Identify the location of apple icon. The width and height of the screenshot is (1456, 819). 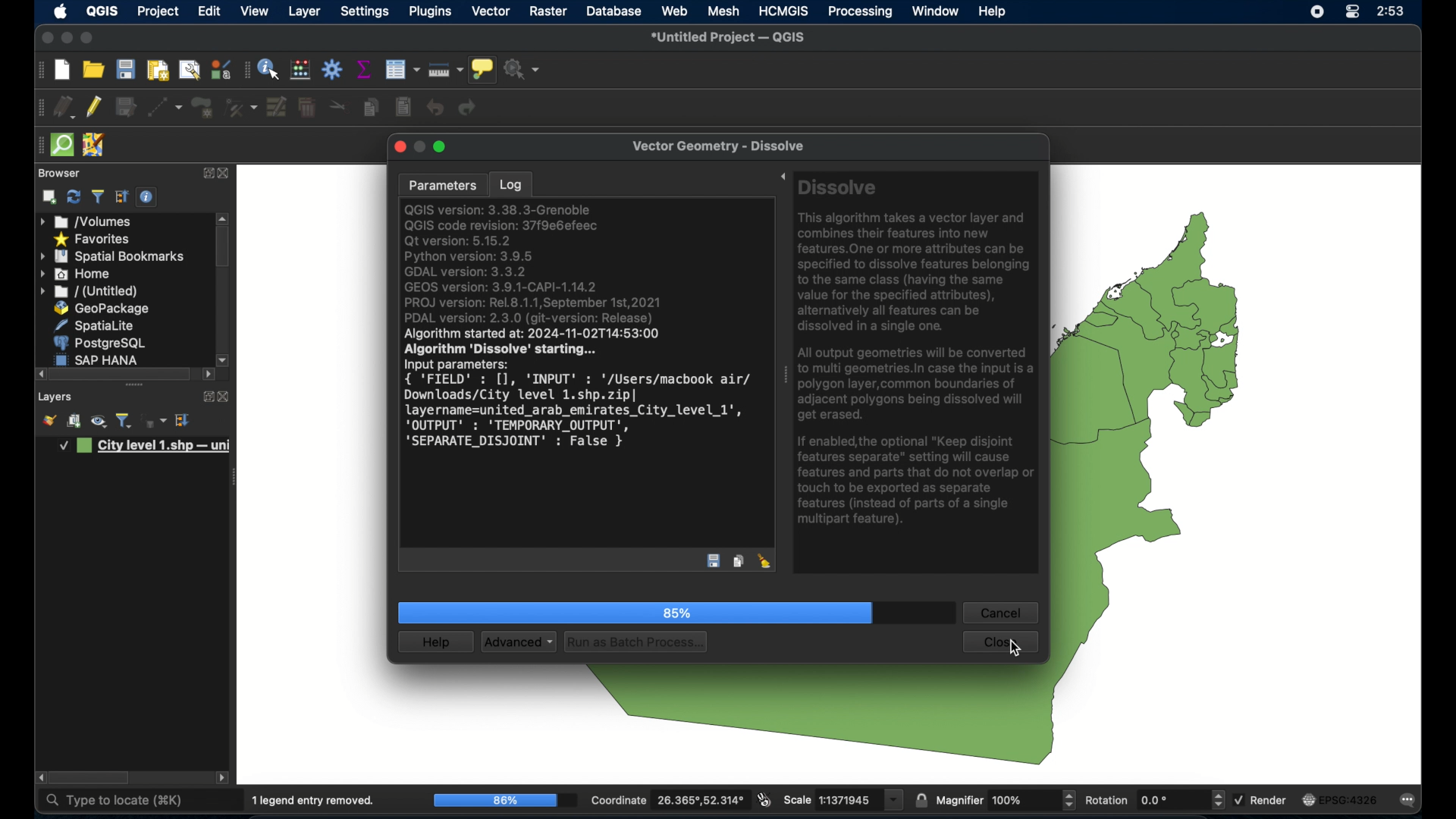
(61, 11).